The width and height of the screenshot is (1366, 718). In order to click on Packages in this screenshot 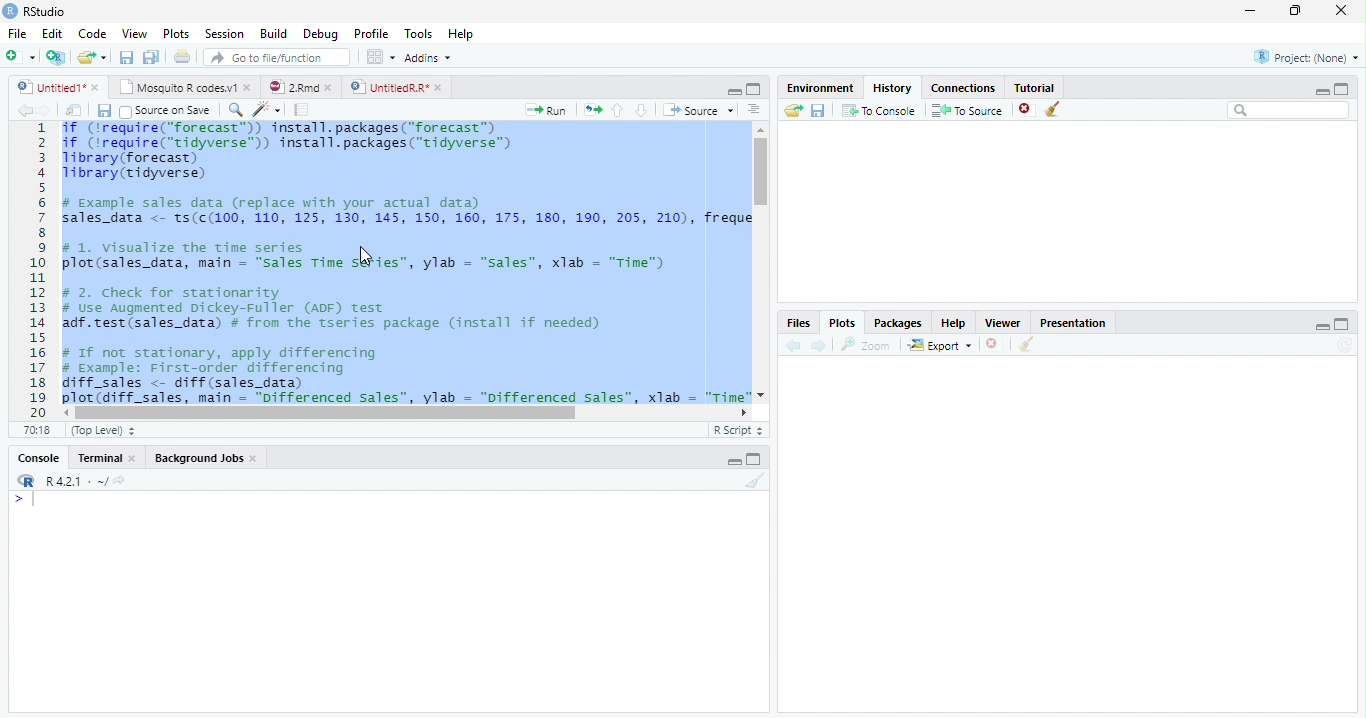, I will do `click(899, 324)`.